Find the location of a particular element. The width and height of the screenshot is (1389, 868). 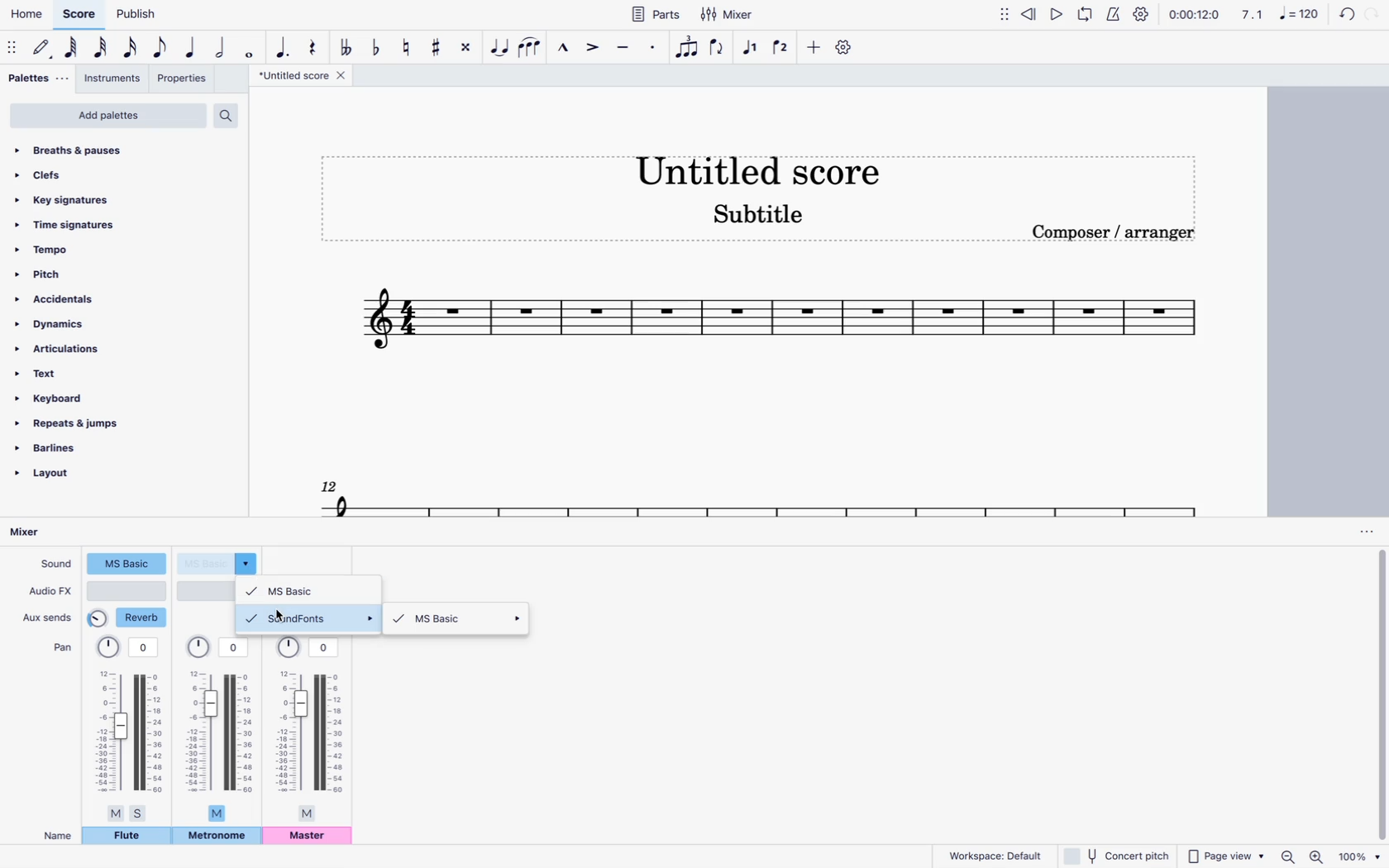

sound type is located at coordinates (126, 565).